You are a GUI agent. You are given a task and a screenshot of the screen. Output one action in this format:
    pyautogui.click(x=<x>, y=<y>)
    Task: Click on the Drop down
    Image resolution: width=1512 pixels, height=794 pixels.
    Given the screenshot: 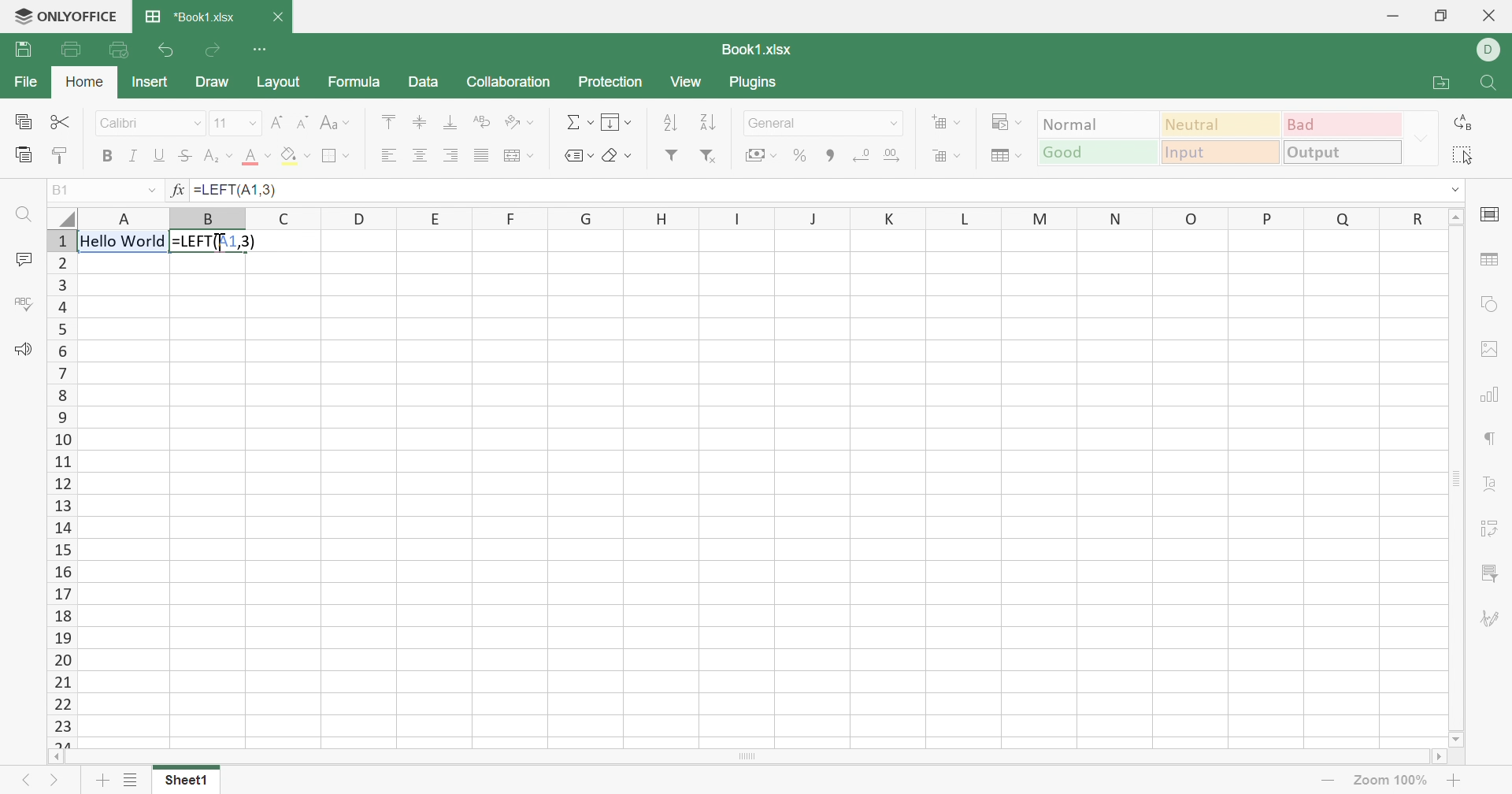 What is the action you would take?
    pyautogui.click(x=1456, y=191)
    